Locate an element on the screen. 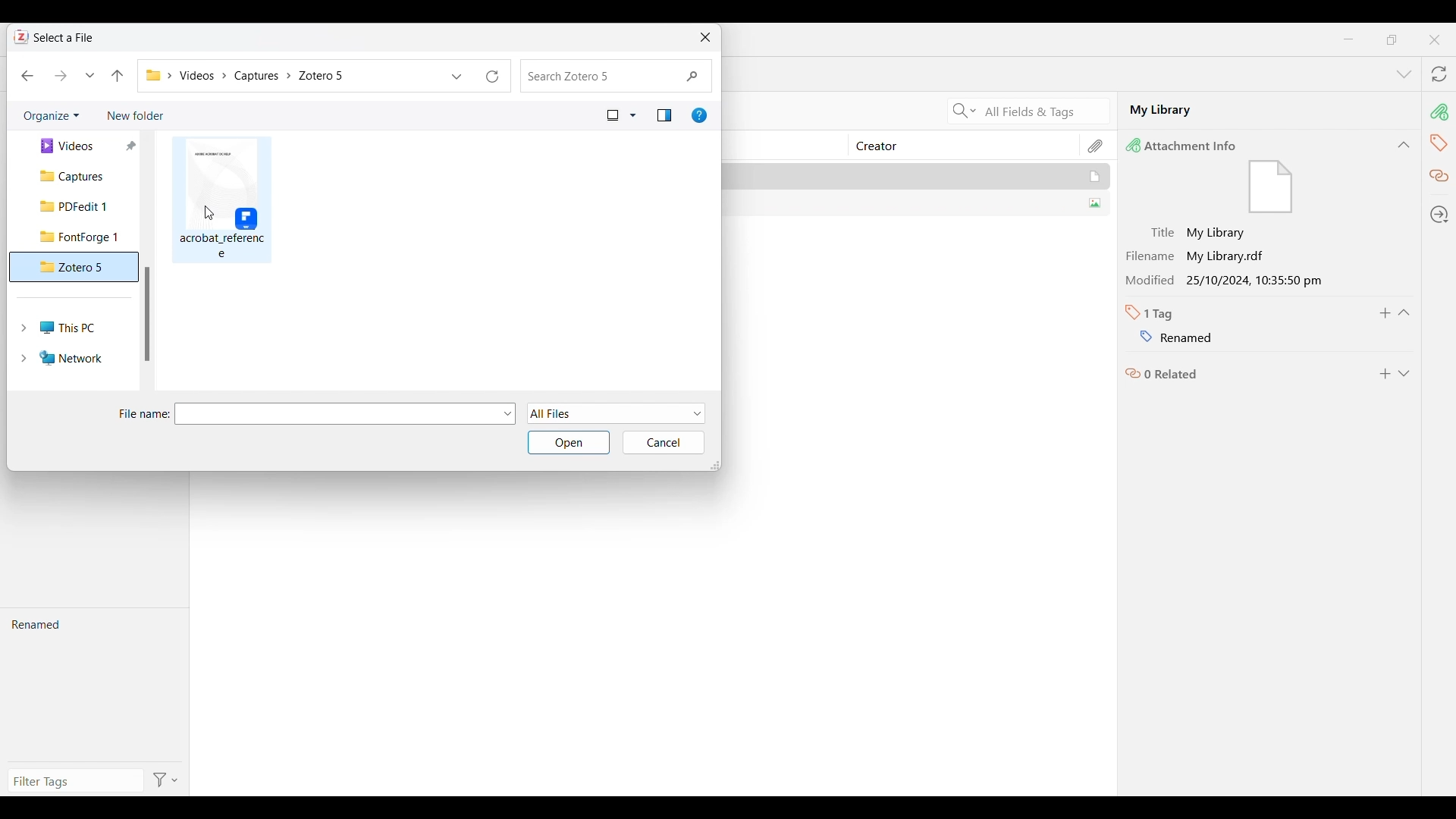  file icon is located at coordinates (1269, 188).